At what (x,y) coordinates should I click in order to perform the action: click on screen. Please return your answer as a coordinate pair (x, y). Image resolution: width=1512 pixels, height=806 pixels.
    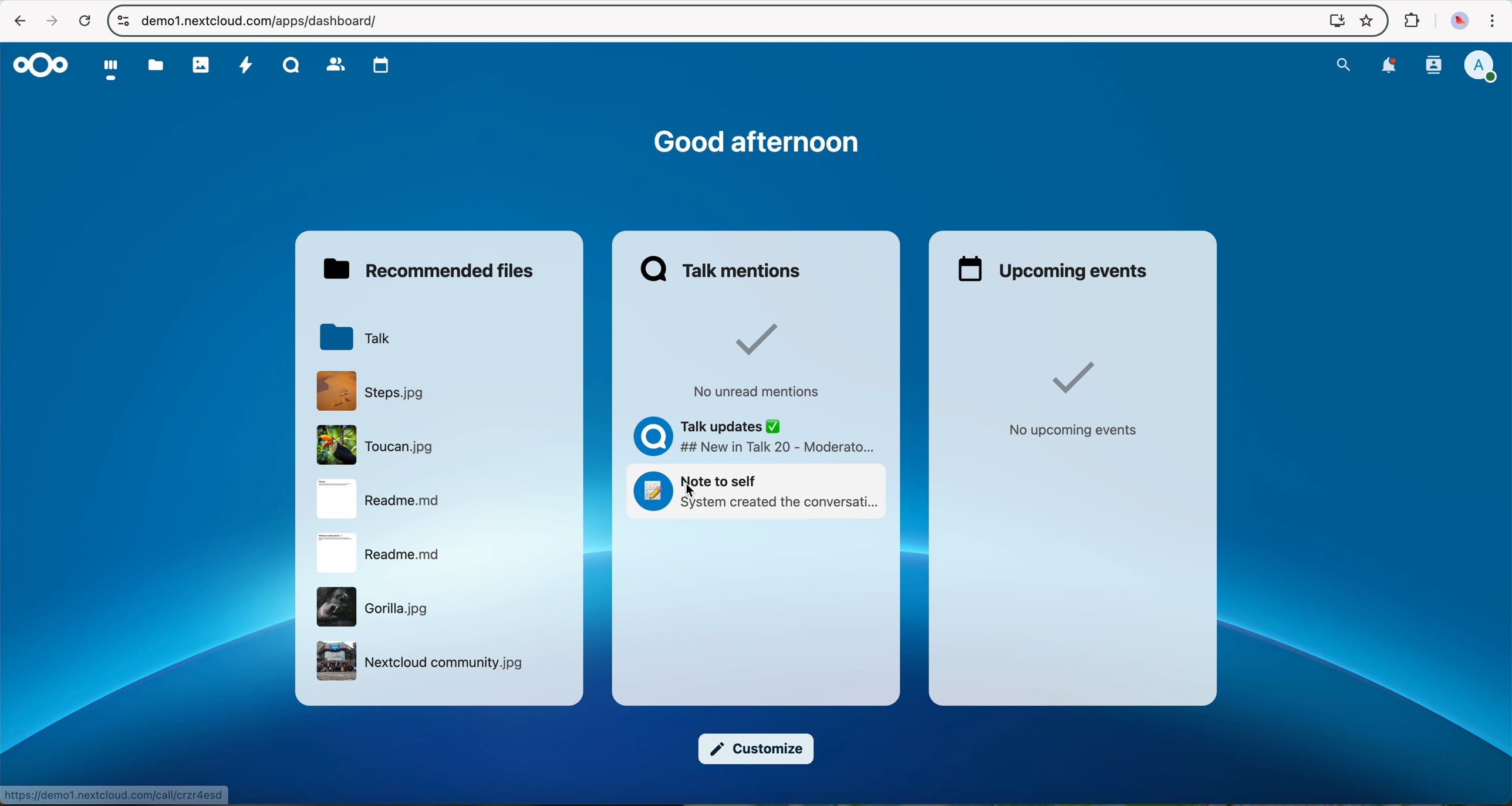
    Looking at the image, I should click on (1332, 21).